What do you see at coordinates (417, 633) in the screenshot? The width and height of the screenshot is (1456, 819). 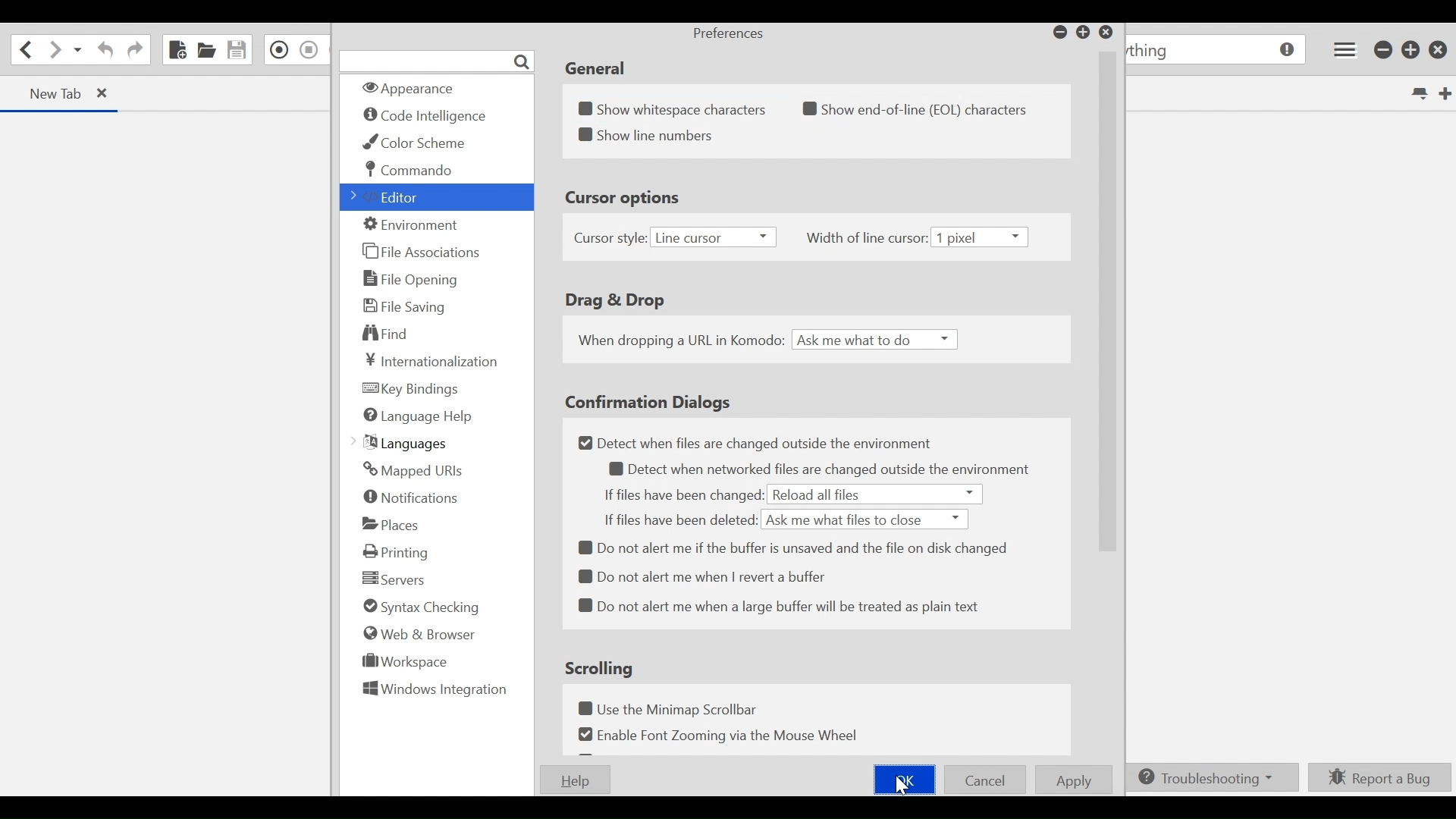 I see `Web & Browser` at bounding box center [417, 633].